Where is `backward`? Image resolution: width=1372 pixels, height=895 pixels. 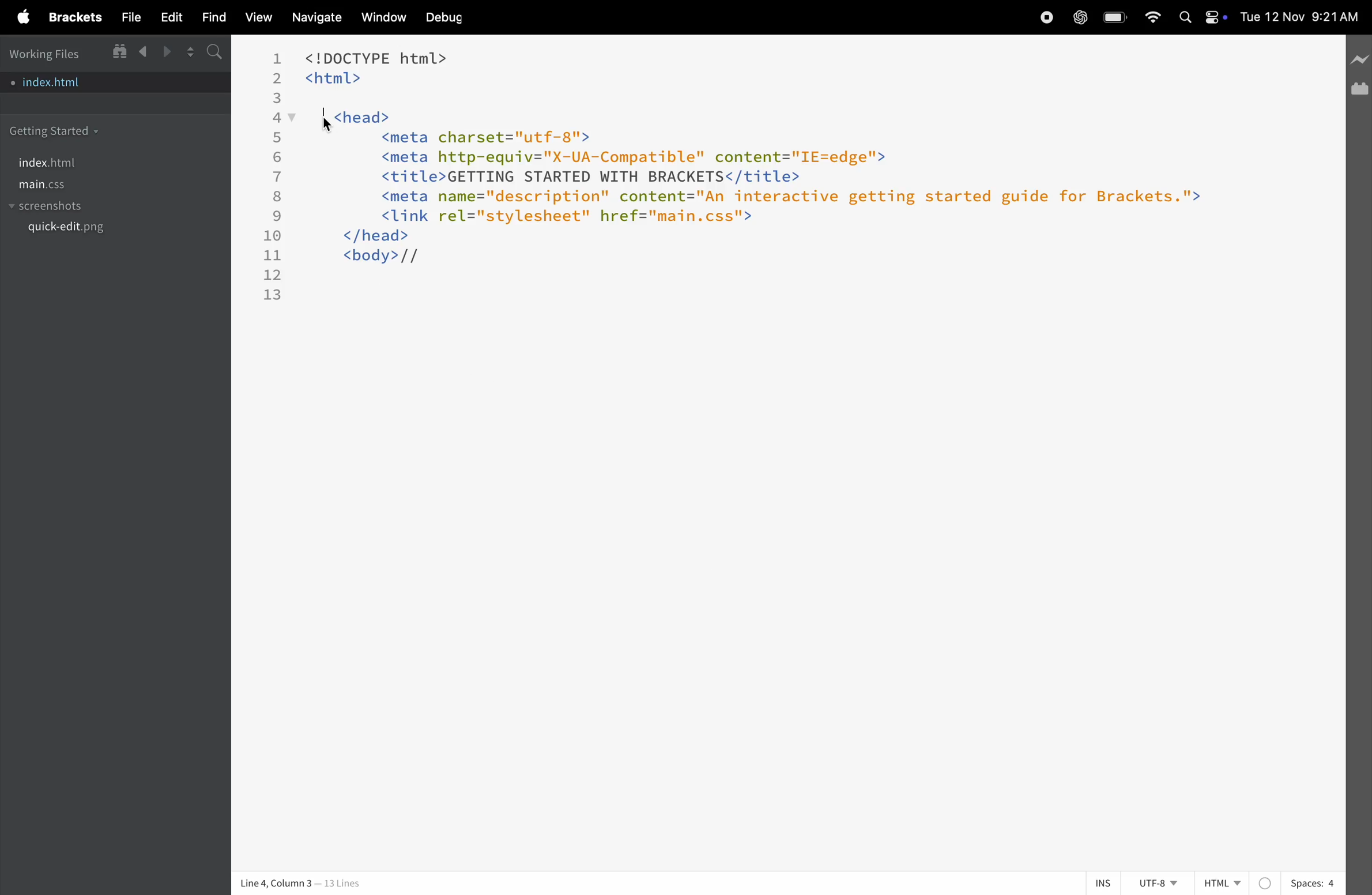
backward is located at coordinates (144, 52).